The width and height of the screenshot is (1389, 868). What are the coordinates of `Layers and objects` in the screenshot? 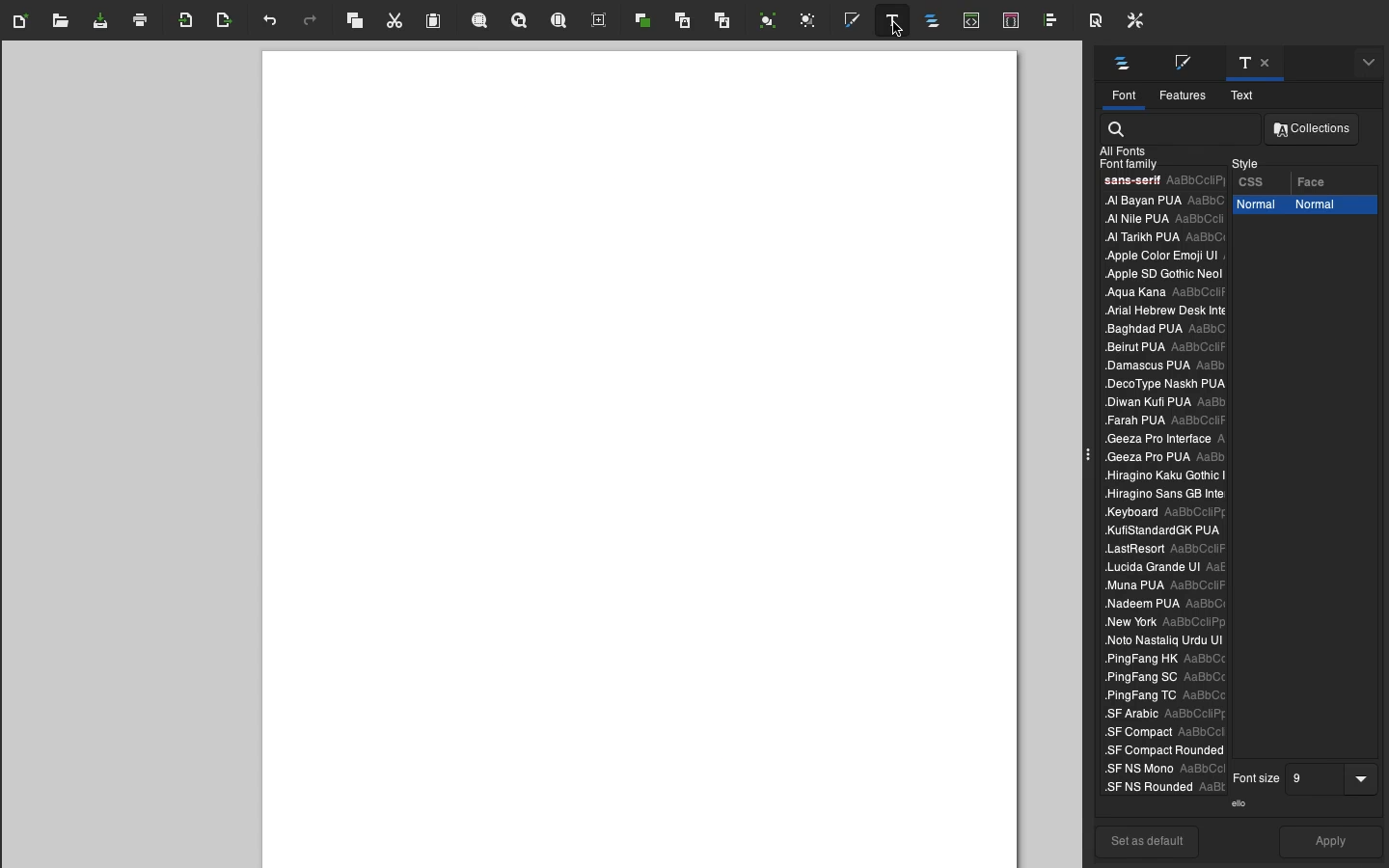 It's located at (937, 23).